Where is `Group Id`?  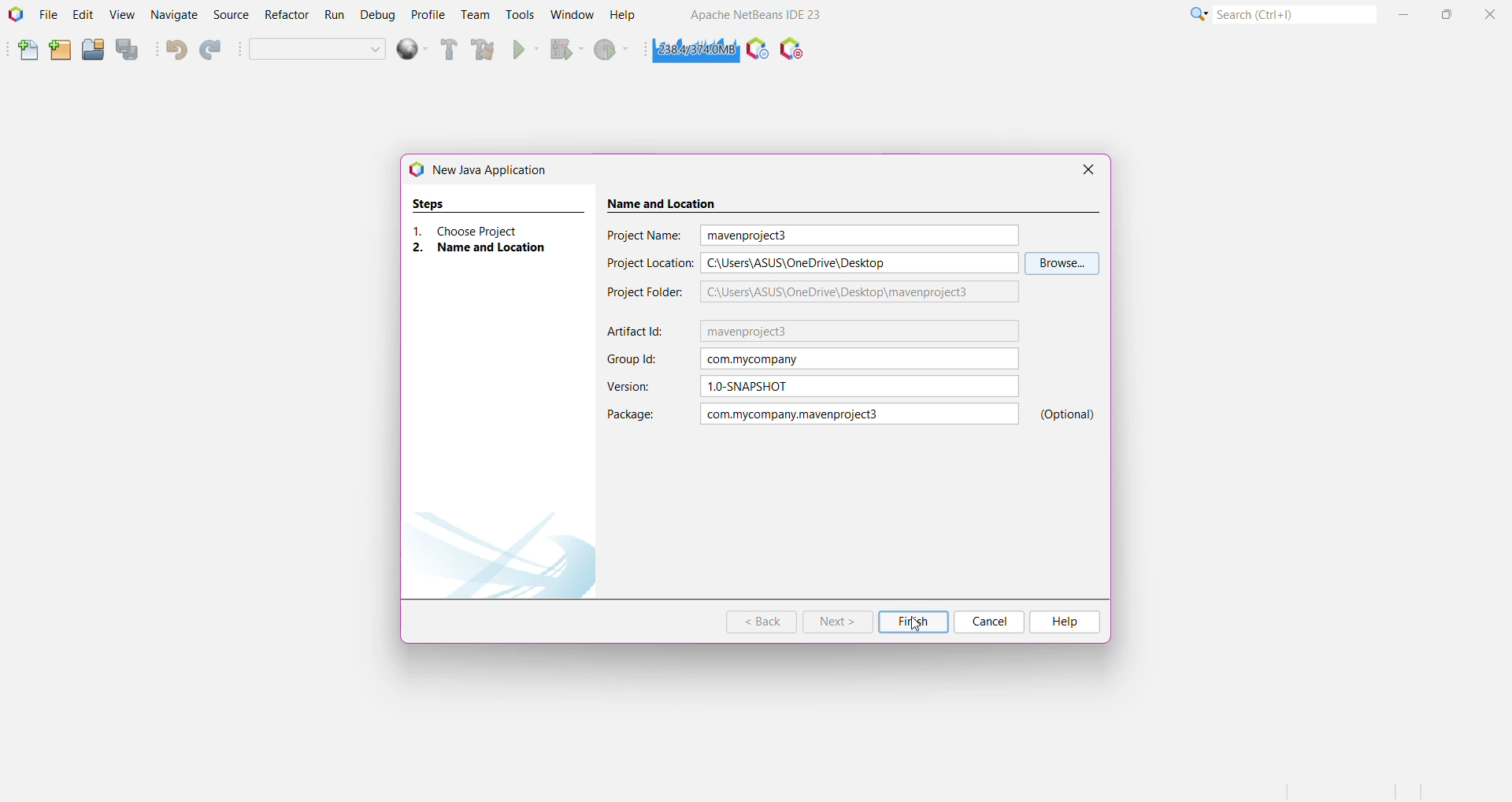
Group Id is located at coordinates (636, 359).